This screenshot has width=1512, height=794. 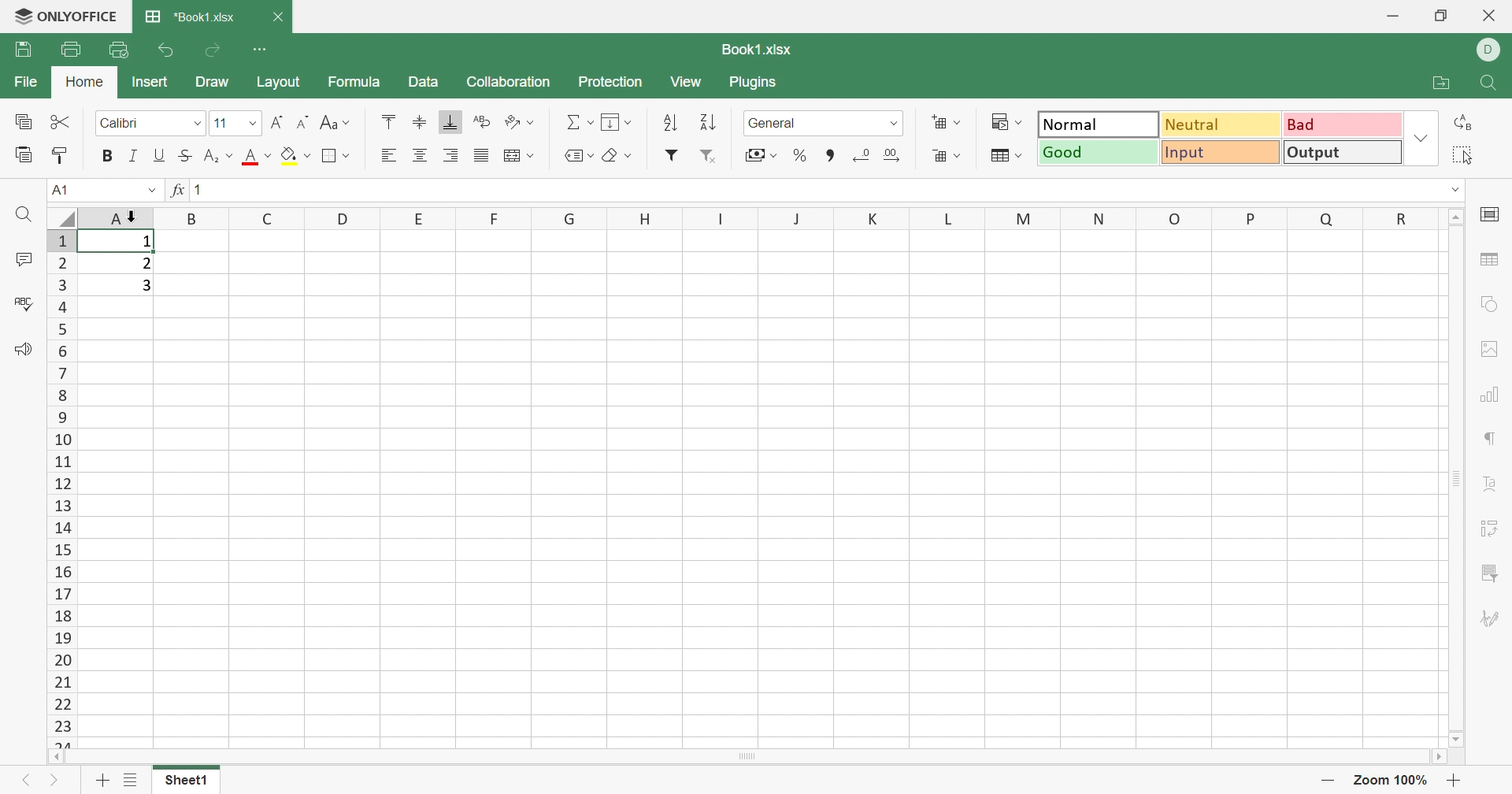 I want to click on Shape settings, so click(x=1489, y=302).